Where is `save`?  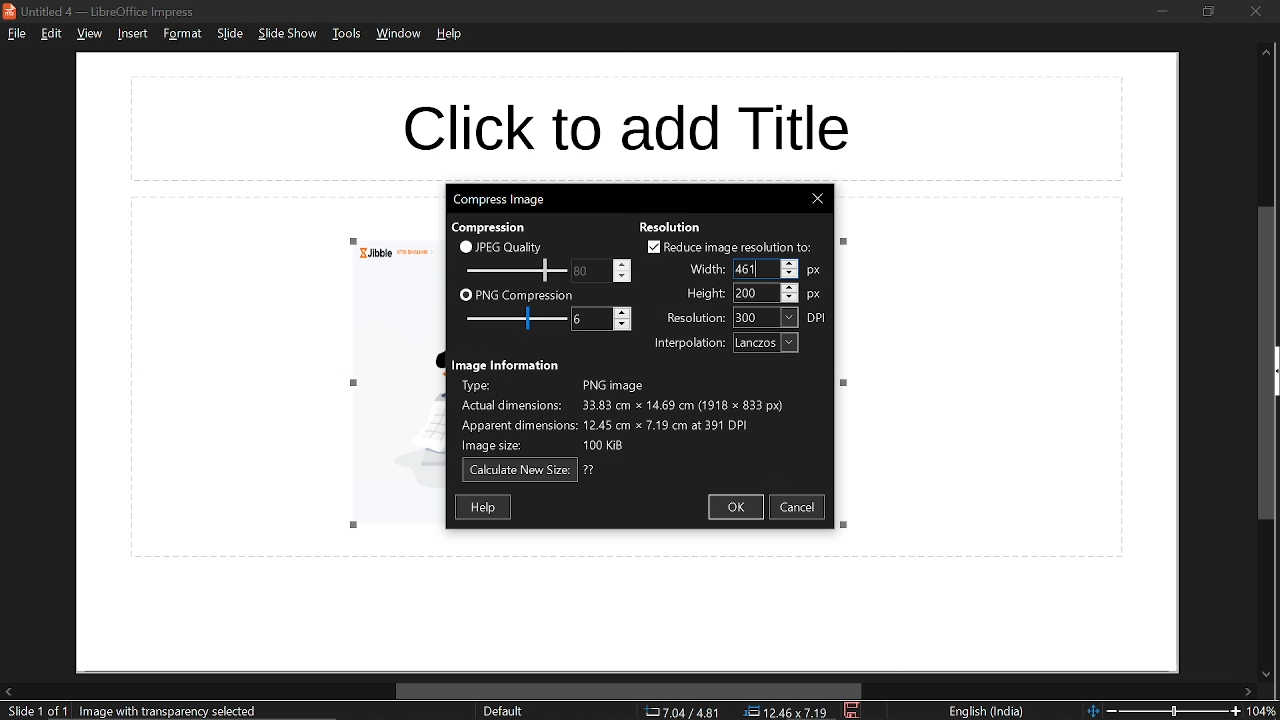 save is located at coordinates (852, 711).